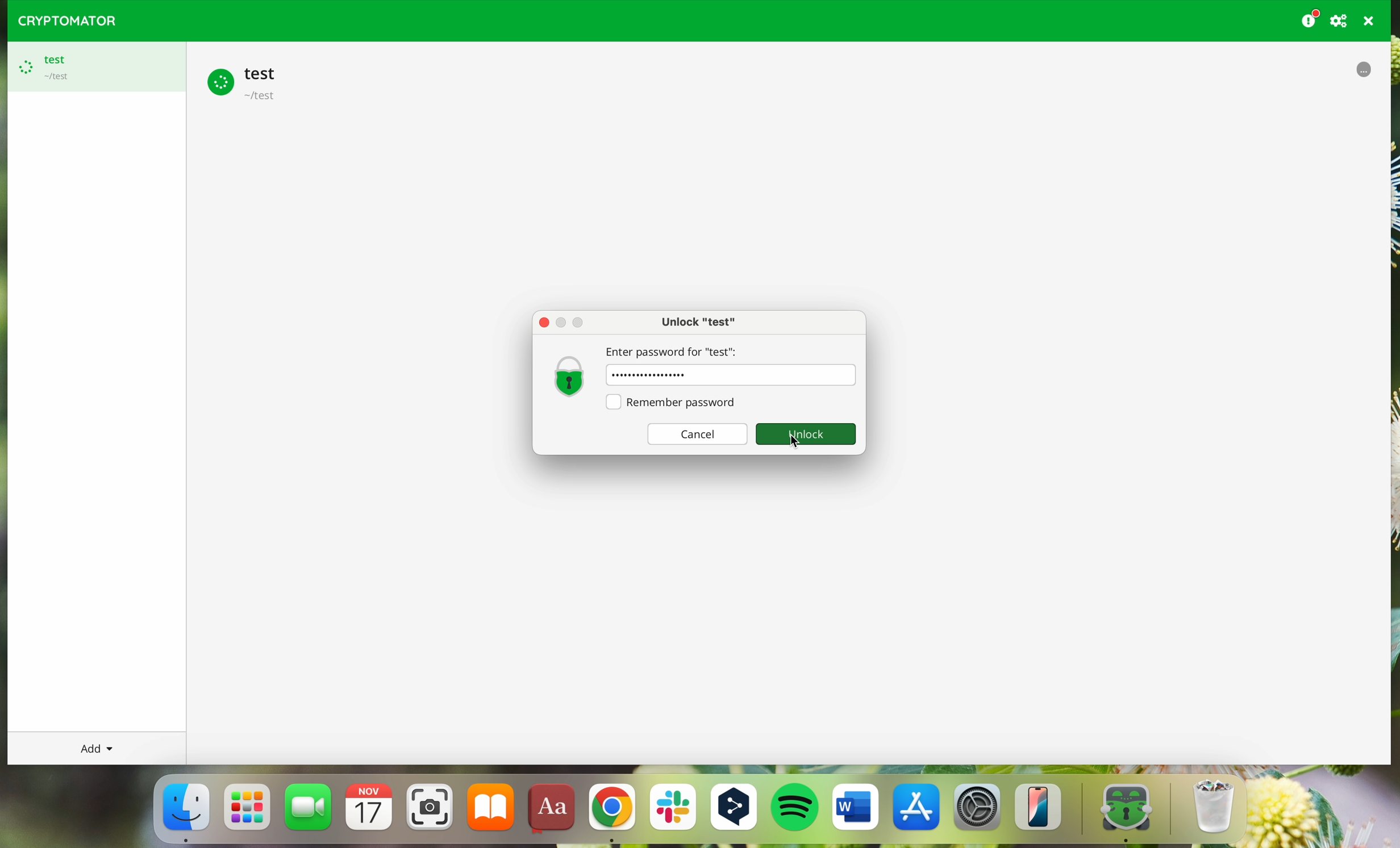  I want to click on Slack, so click(672, 812).